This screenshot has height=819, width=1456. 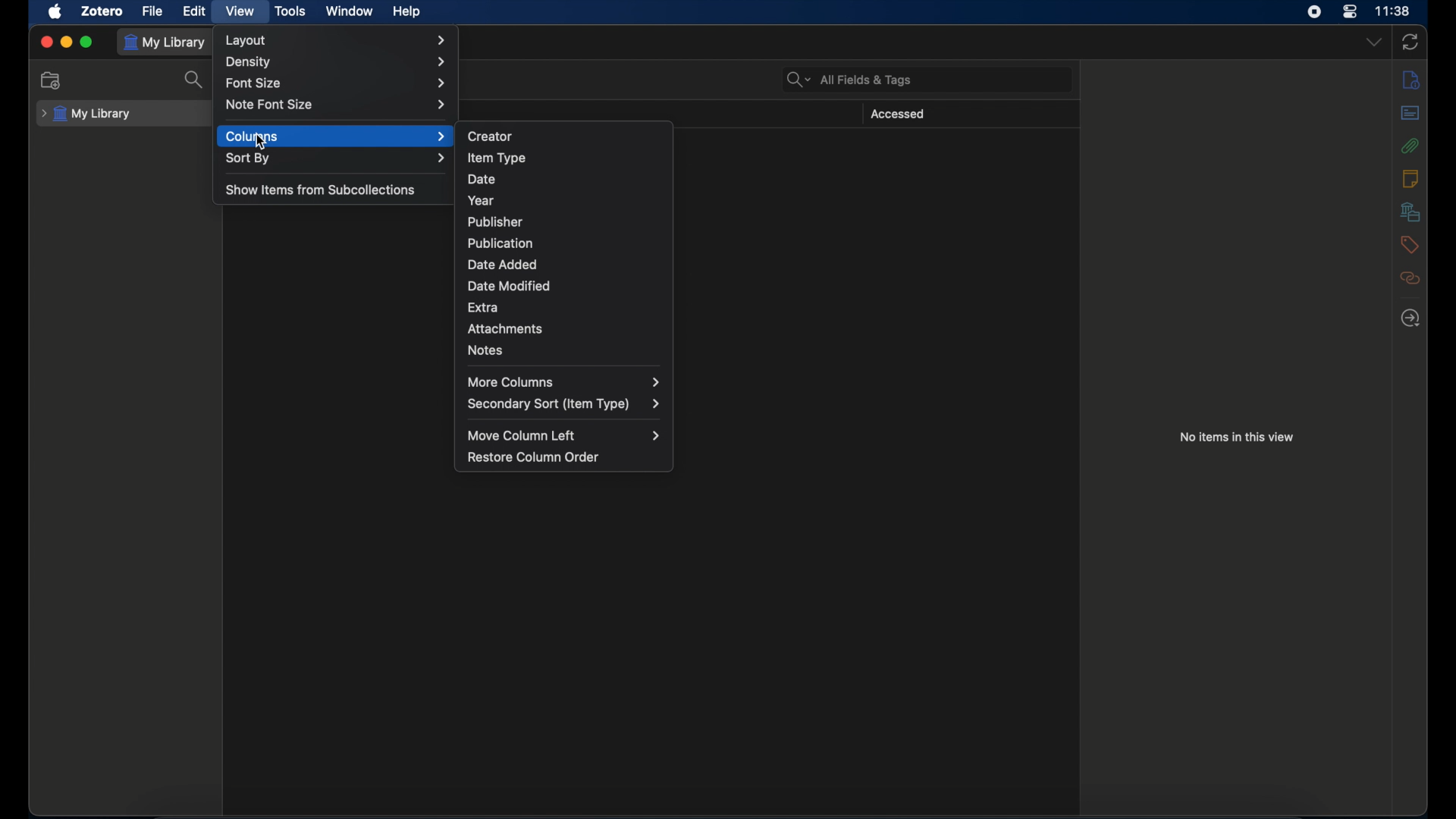 I want to click on libraries, so click(x=1410, y=211).